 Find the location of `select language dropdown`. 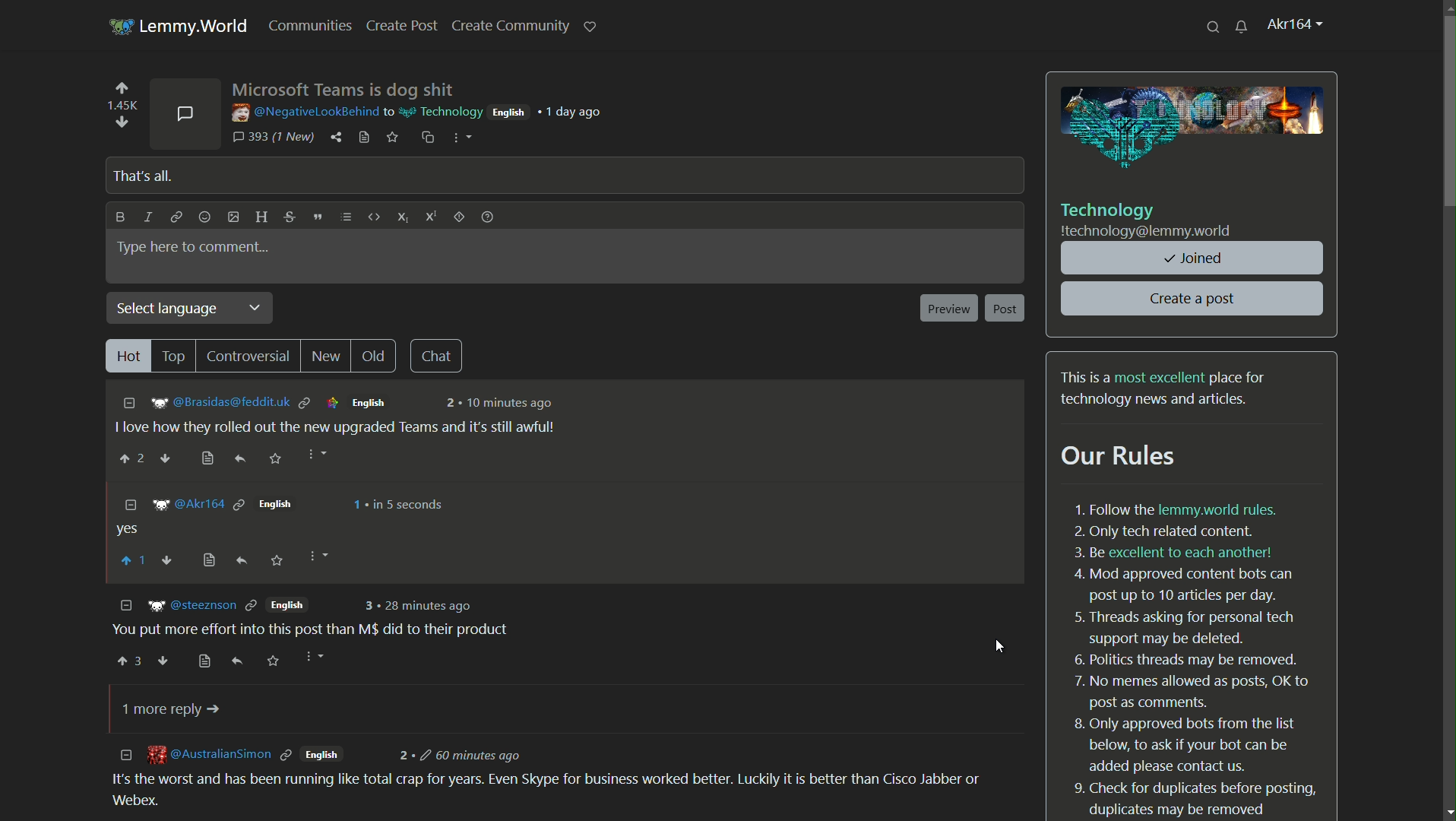

select language dropdown is located at coordinates (192, 309).